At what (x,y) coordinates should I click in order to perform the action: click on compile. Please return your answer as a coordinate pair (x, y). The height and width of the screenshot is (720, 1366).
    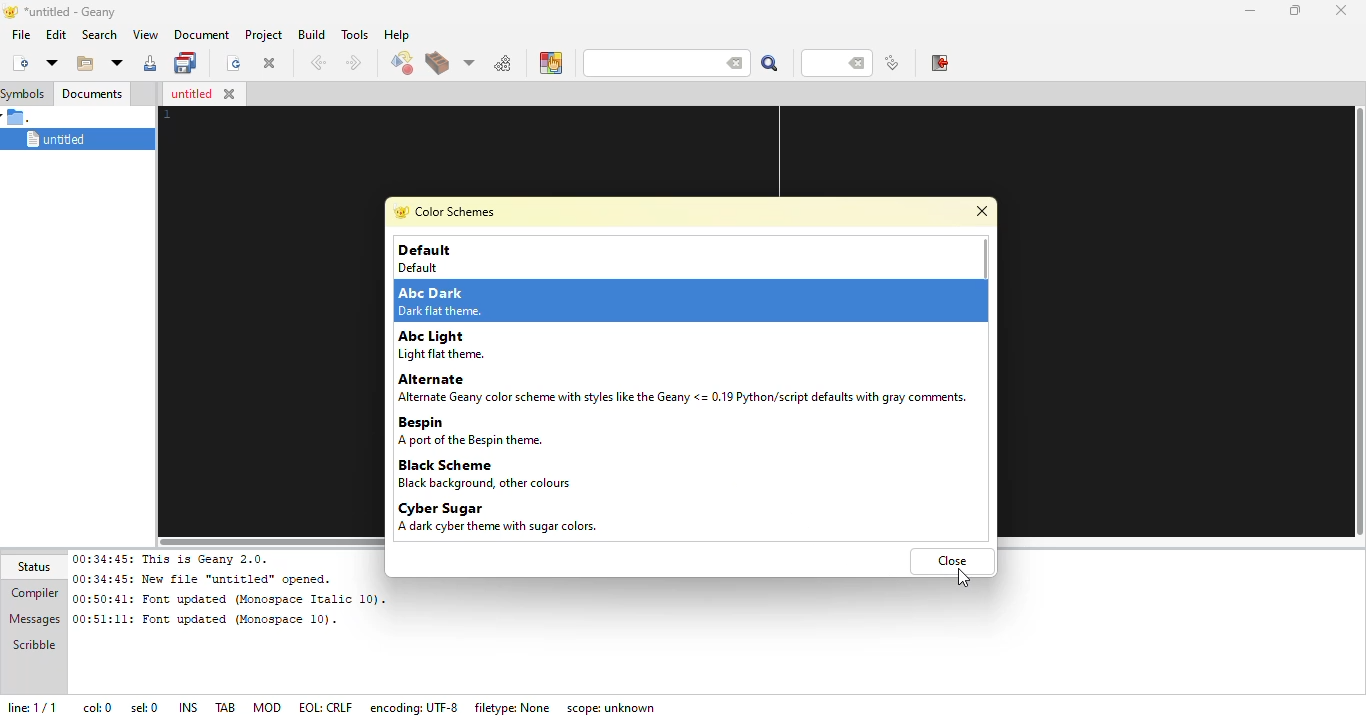
    Looking at the image, I should click on (401, 64).